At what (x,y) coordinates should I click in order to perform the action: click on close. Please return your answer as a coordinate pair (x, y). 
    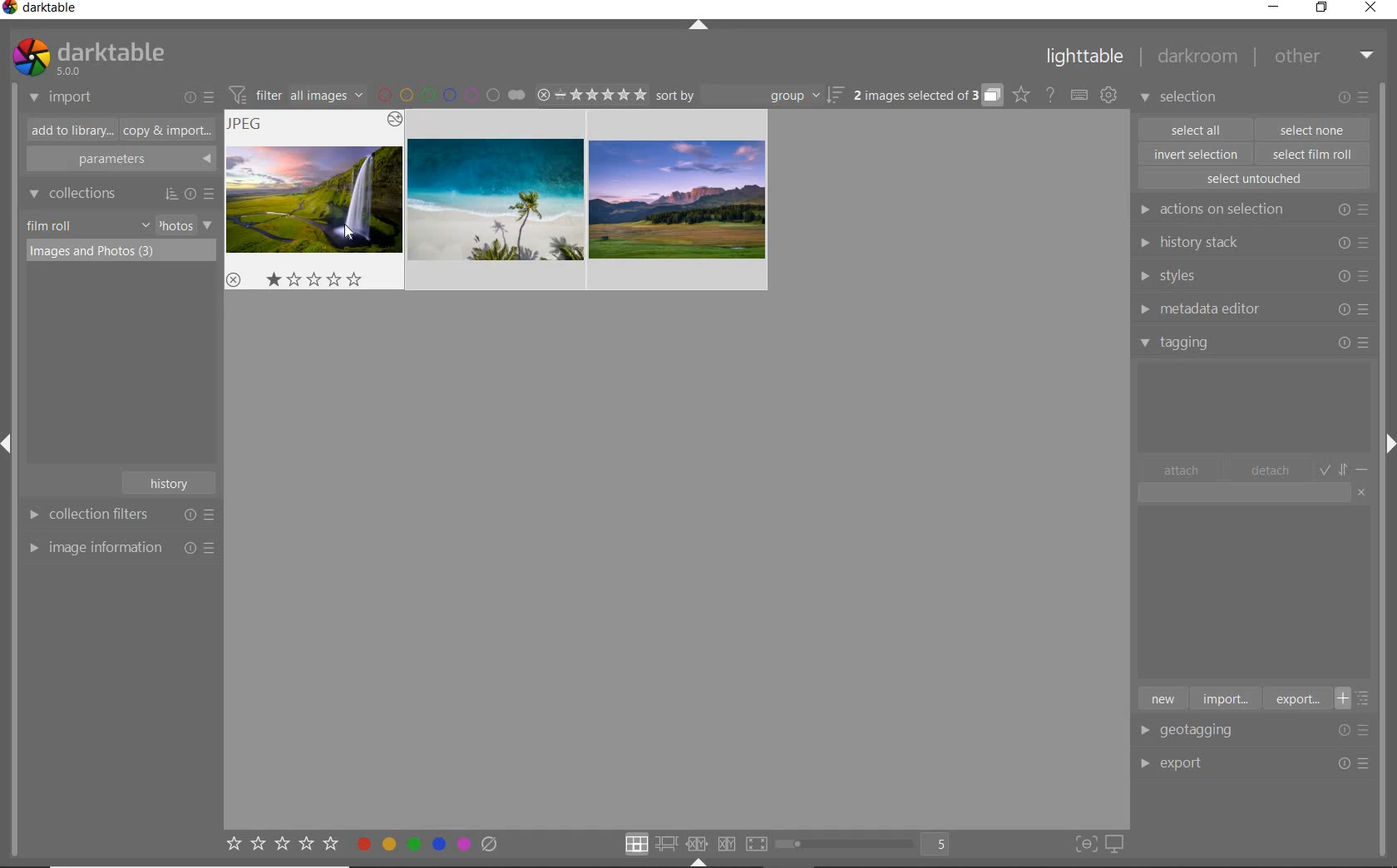
    Looking at the image, I should click on (1374, 9).